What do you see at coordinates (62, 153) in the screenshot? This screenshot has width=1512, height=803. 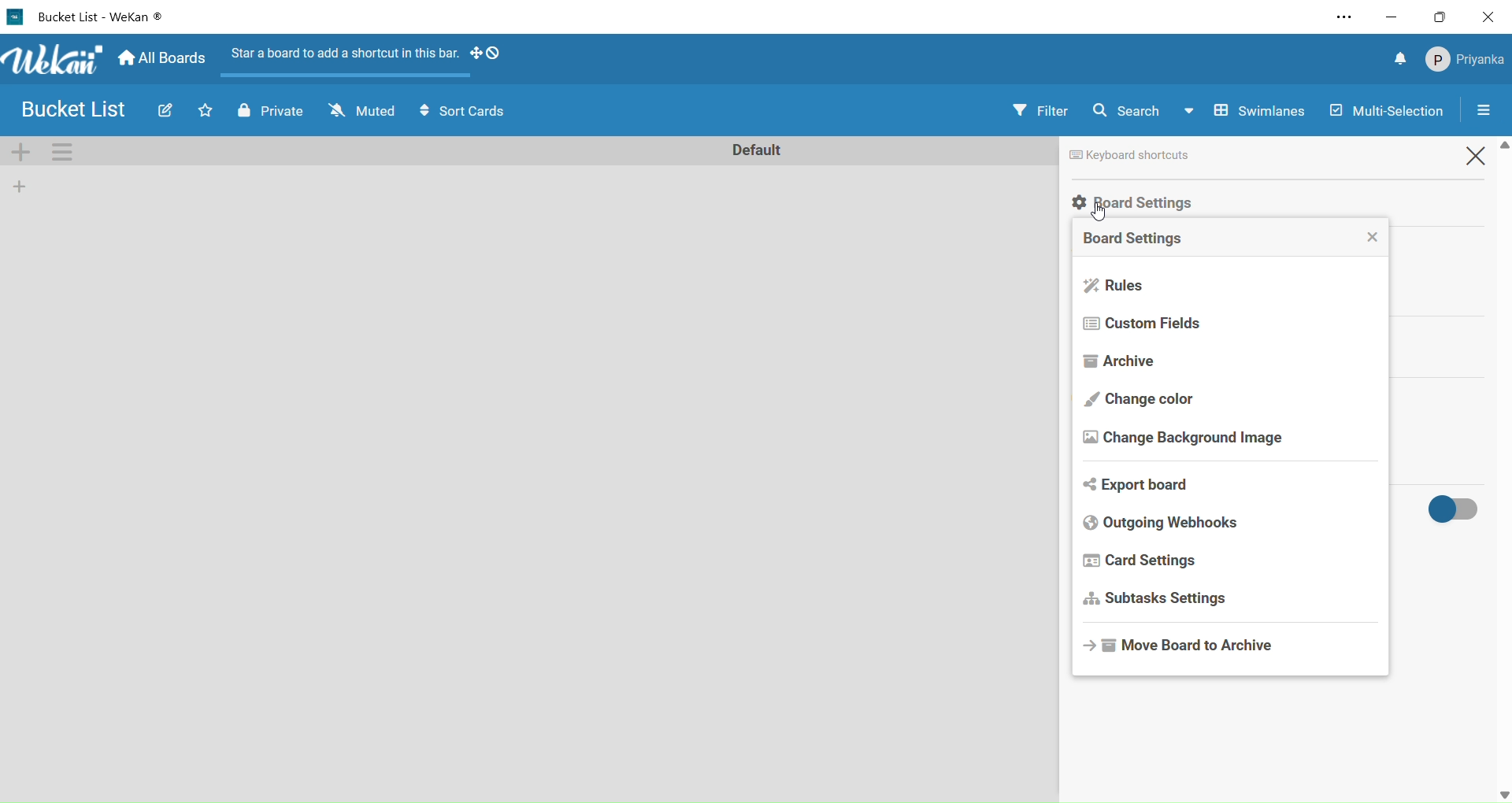 I see `swimlane actions` at bounding box center [62, 153].